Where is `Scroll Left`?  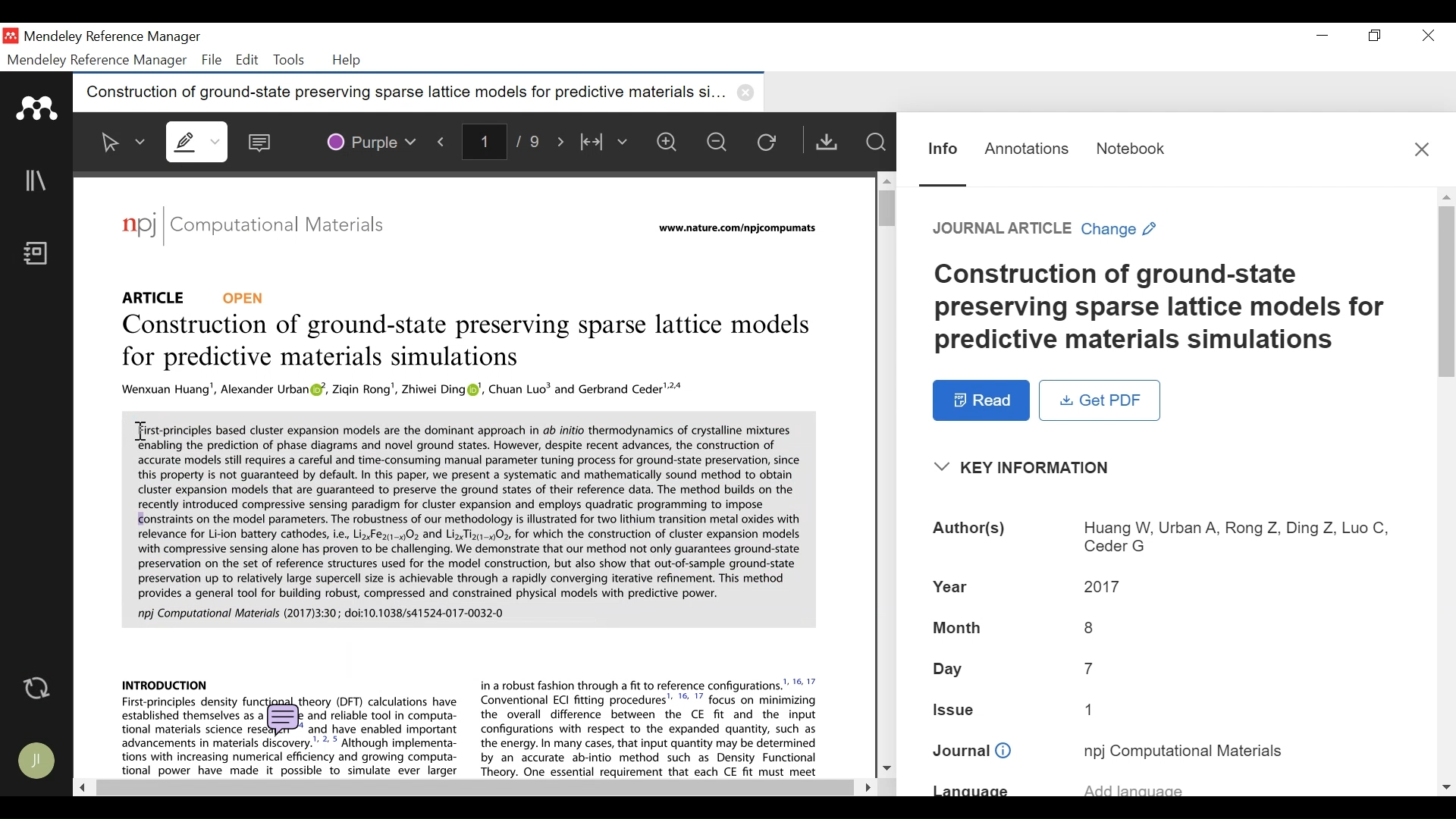
Scroll Left is located at coordinates (80, 786).